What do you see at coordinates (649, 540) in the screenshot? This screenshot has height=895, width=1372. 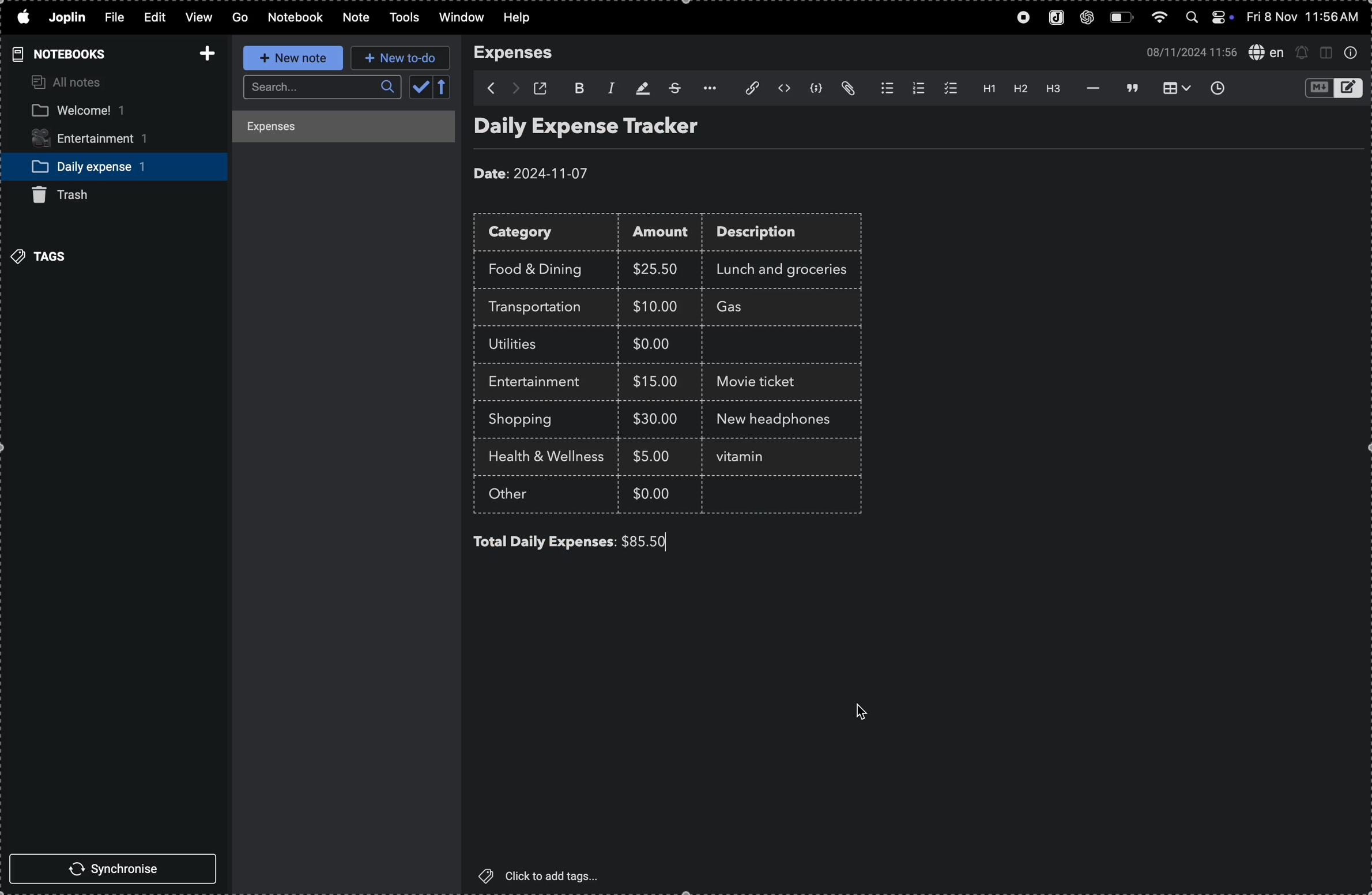 I see `$85.00` at bounding box center [649, 540].